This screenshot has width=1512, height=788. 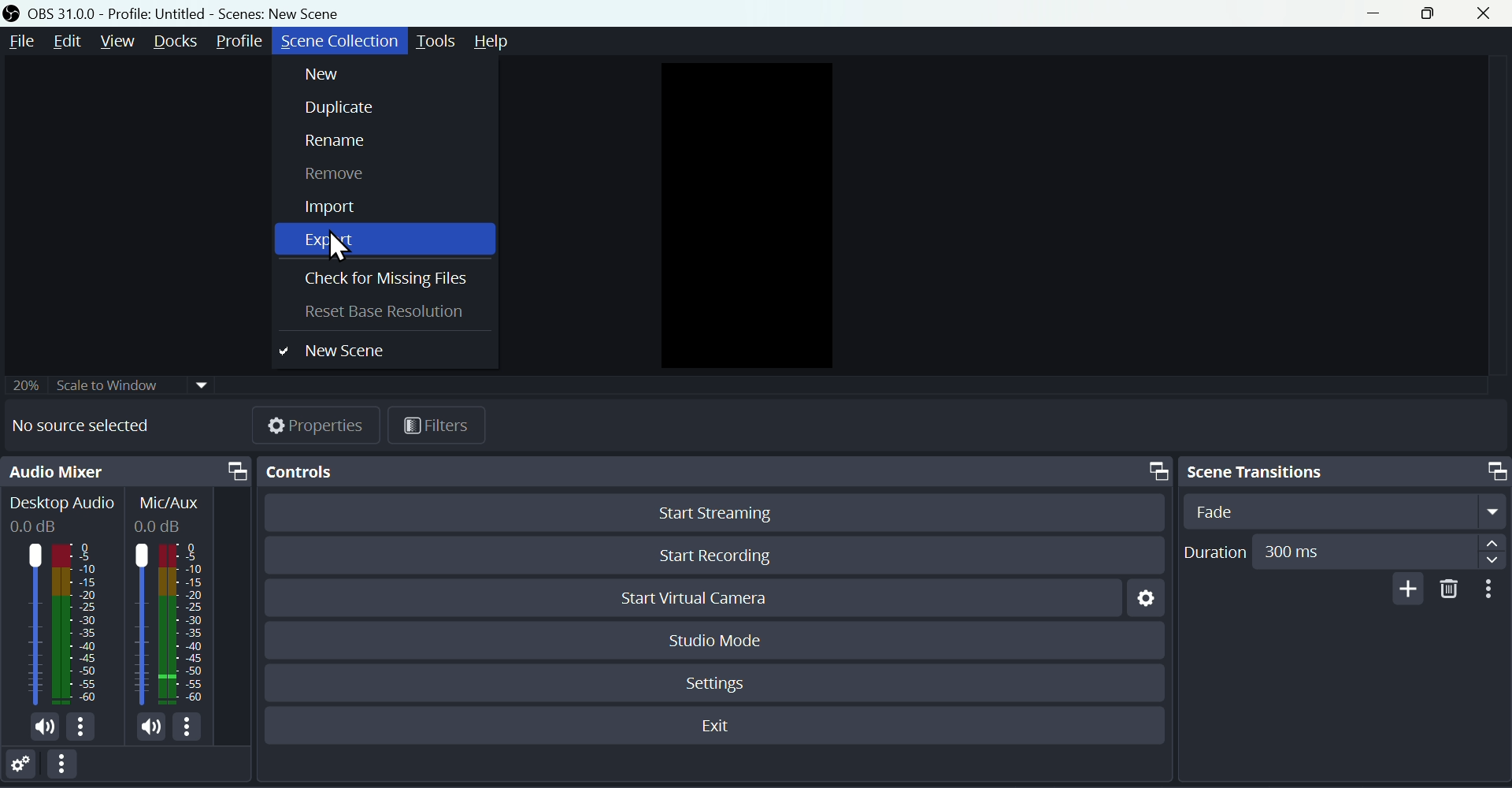 I want to click on help, so click(x=500, y=42).